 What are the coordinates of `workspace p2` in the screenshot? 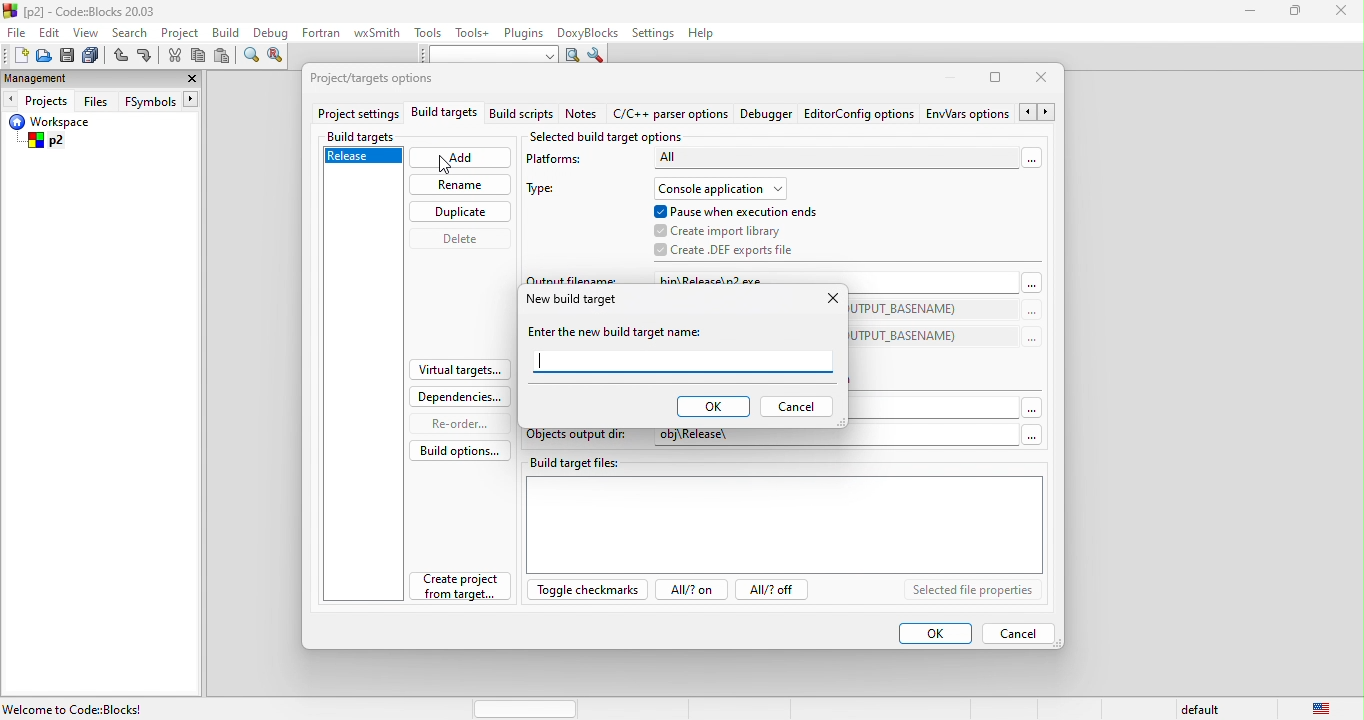 It's located at (80, 133).